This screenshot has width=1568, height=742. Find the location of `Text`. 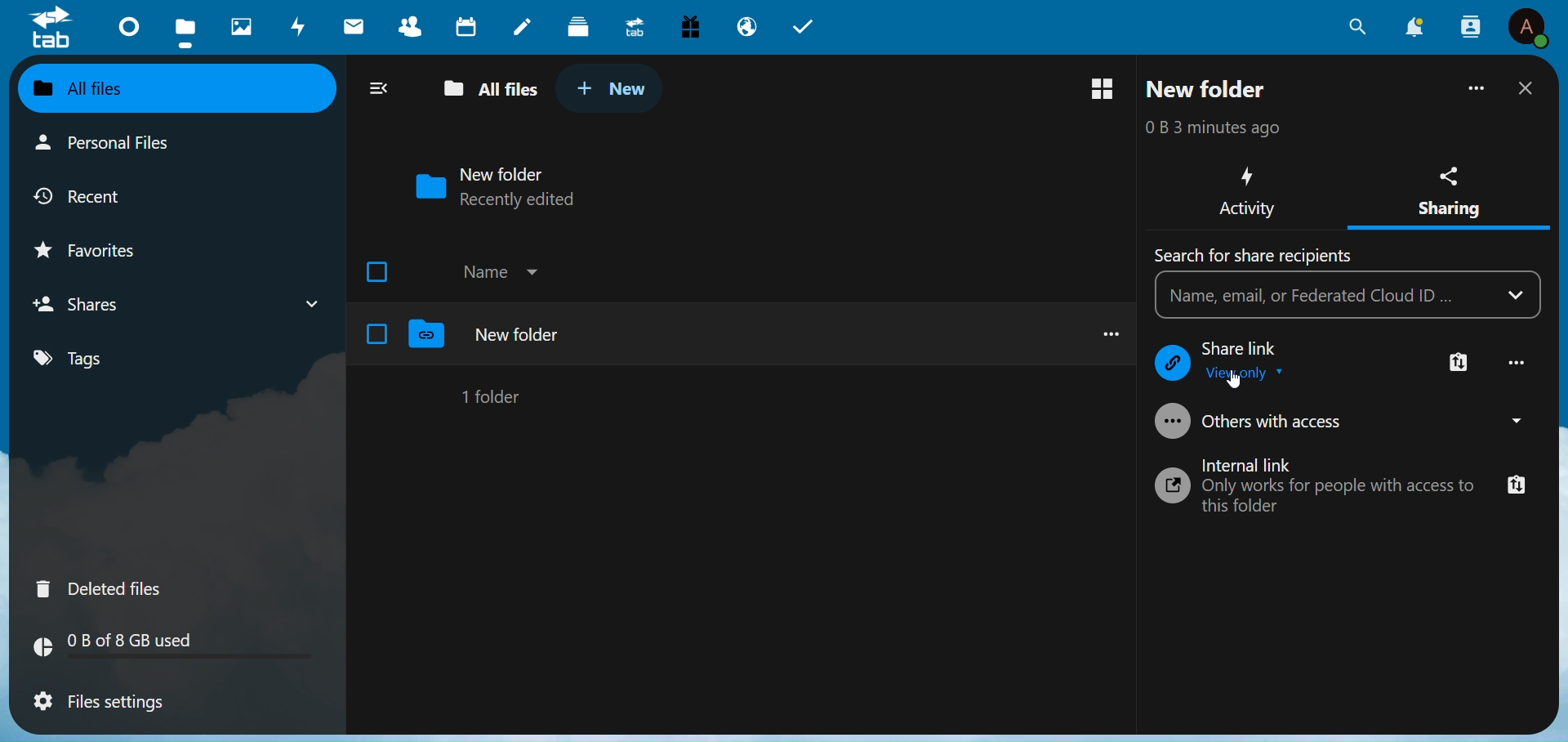

Text is located at coordinates (1254, 255).